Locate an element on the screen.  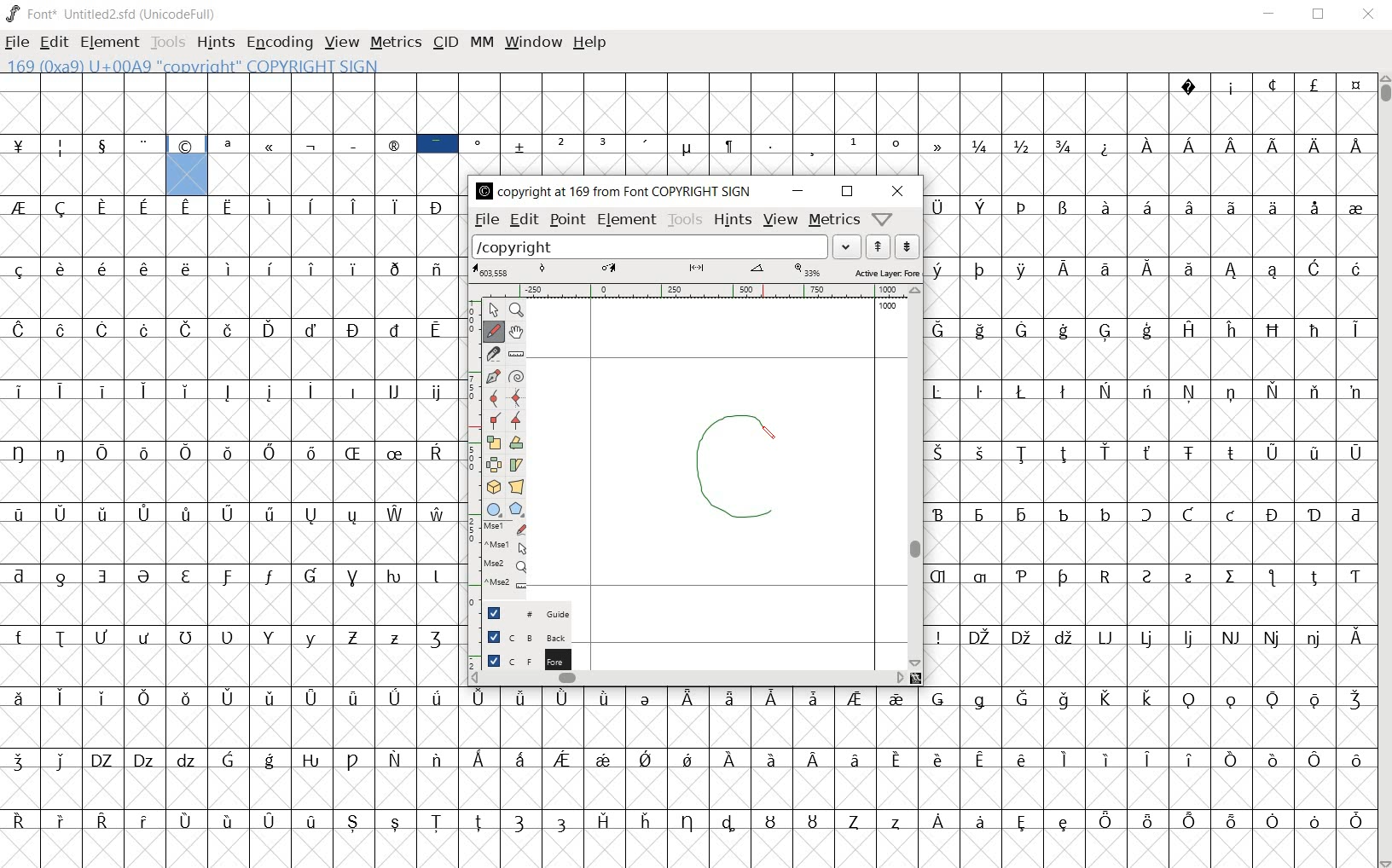
rectangle or ellipse is located at coordinates (494, 508).